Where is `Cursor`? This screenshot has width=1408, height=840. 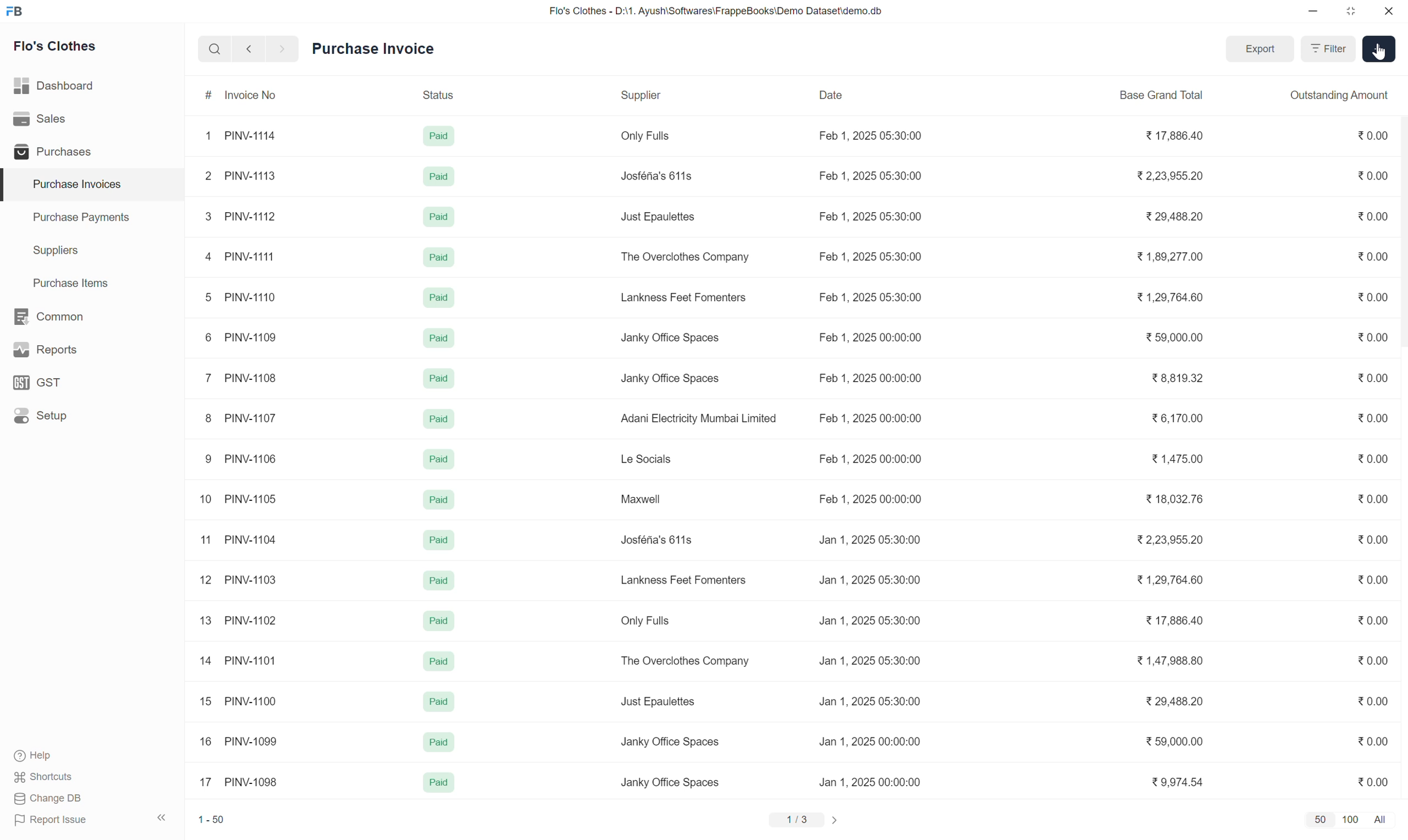
Cursor is located at coordinates (1380, 52).